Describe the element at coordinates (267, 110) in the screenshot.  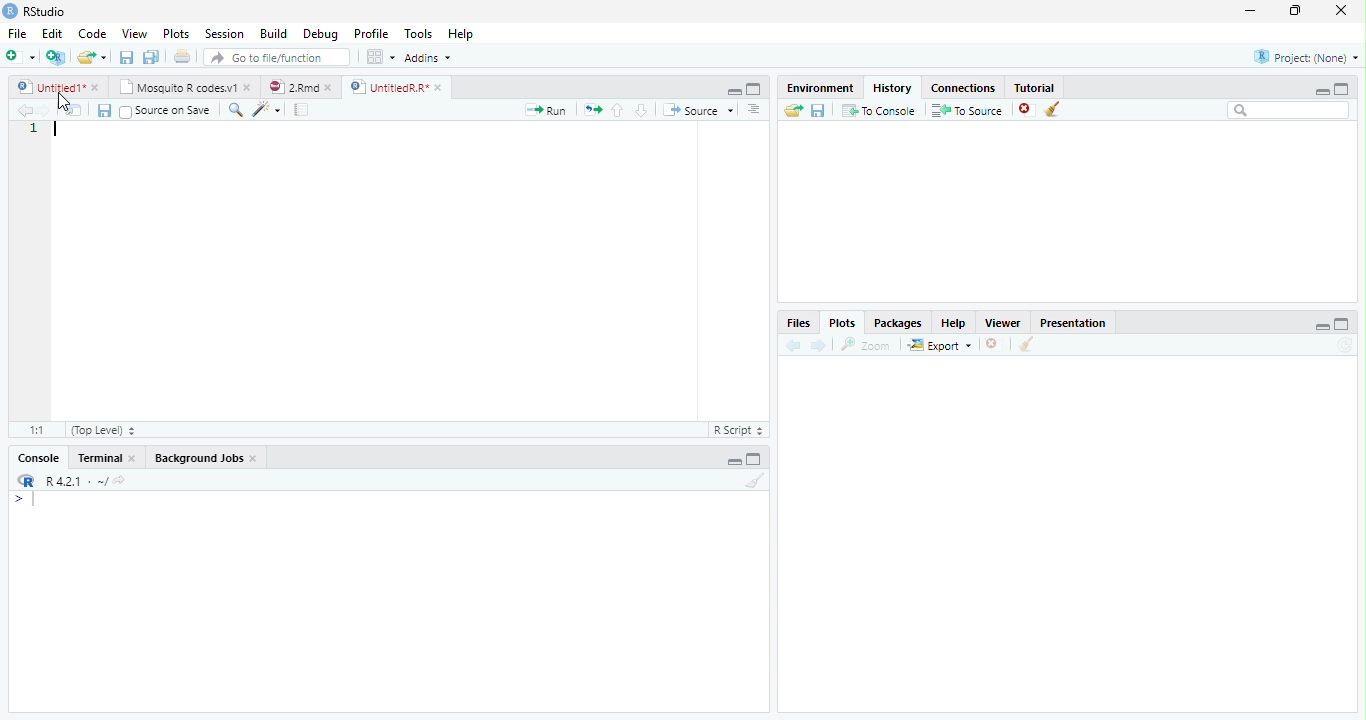
I see `Code tools` at that location.